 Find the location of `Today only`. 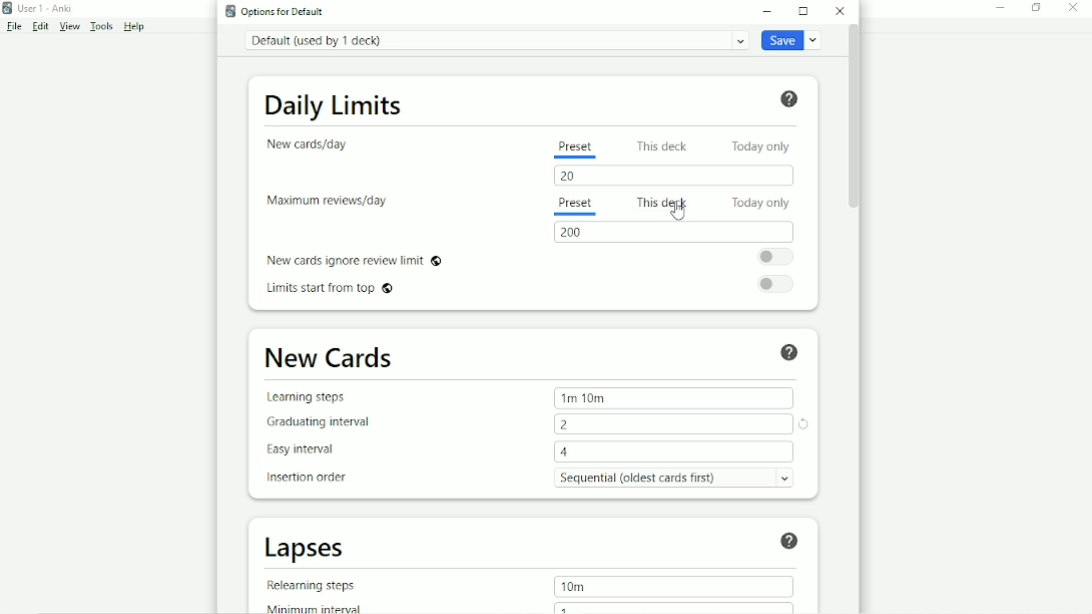

Today only is located at coordinates (765, 145).